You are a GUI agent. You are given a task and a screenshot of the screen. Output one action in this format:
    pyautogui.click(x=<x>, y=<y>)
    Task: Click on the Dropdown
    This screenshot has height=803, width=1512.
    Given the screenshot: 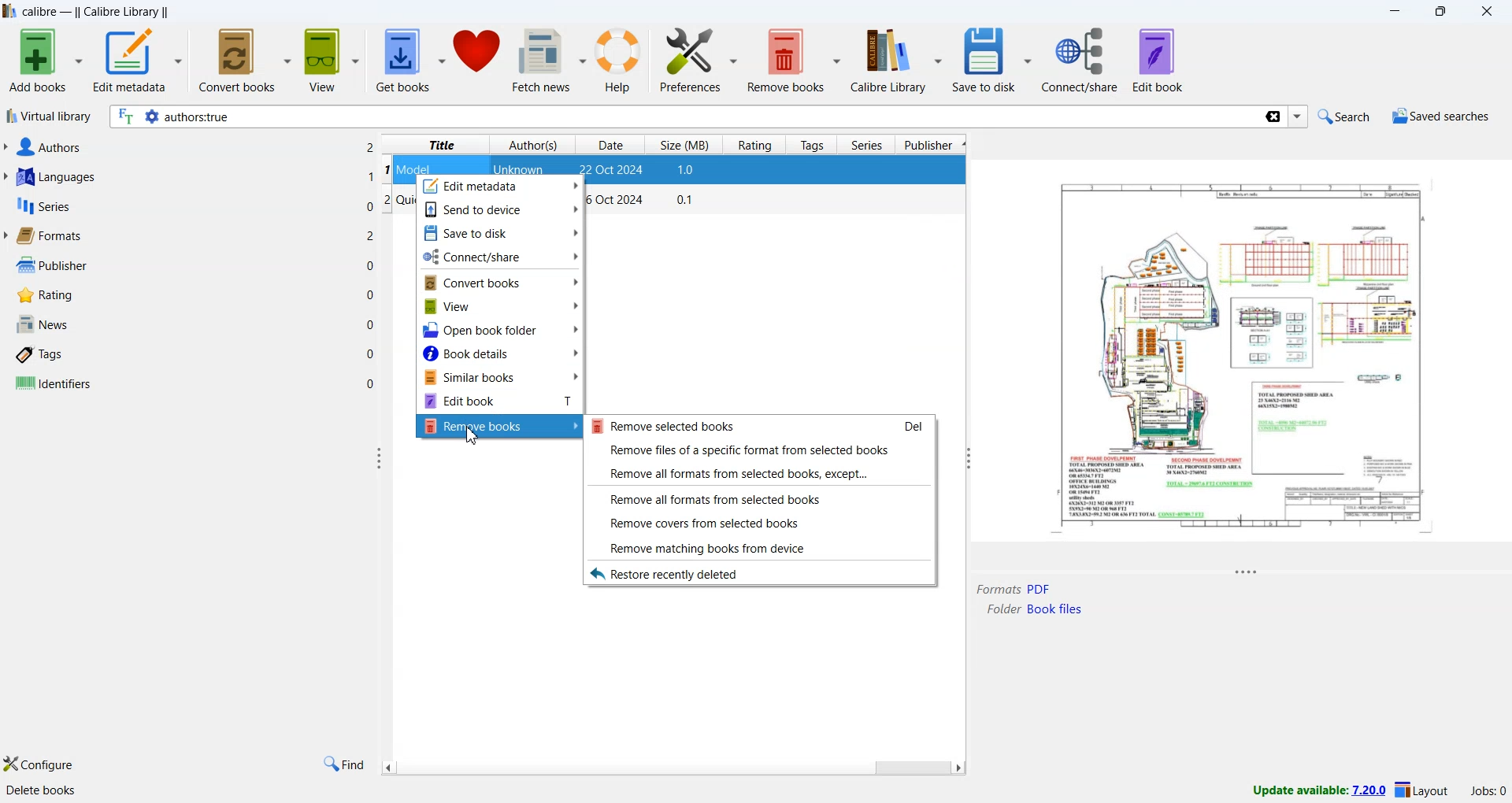 What is the action you would take?
    pyautogui.click(x=1299, y=117)
    